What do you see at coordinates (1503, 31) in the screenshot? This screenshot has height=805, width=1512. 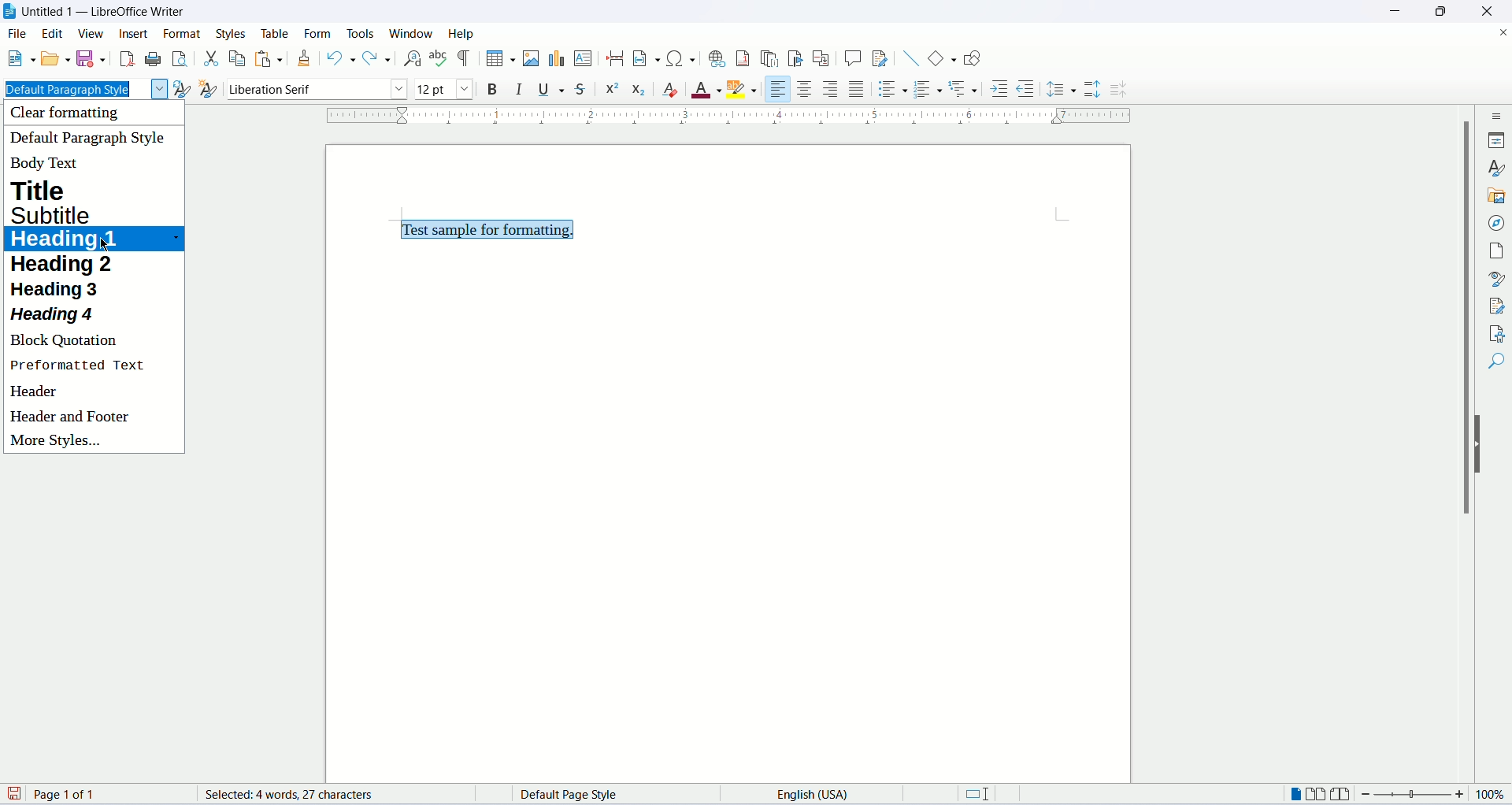 I see `close` at bounding box center [1503, 31].